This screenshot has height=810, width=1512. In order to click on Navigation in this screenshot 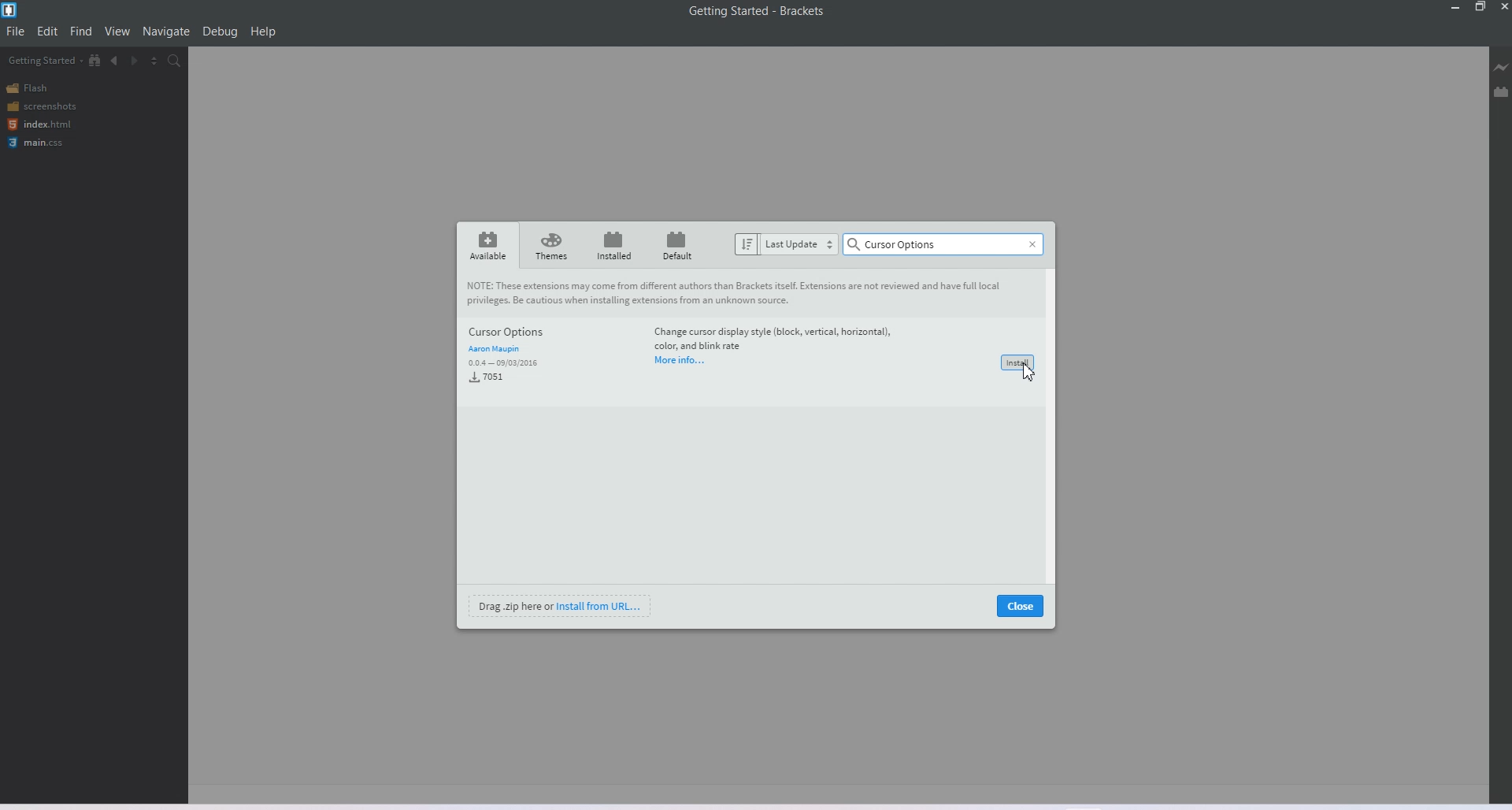, I will do `click(167, 31)`.